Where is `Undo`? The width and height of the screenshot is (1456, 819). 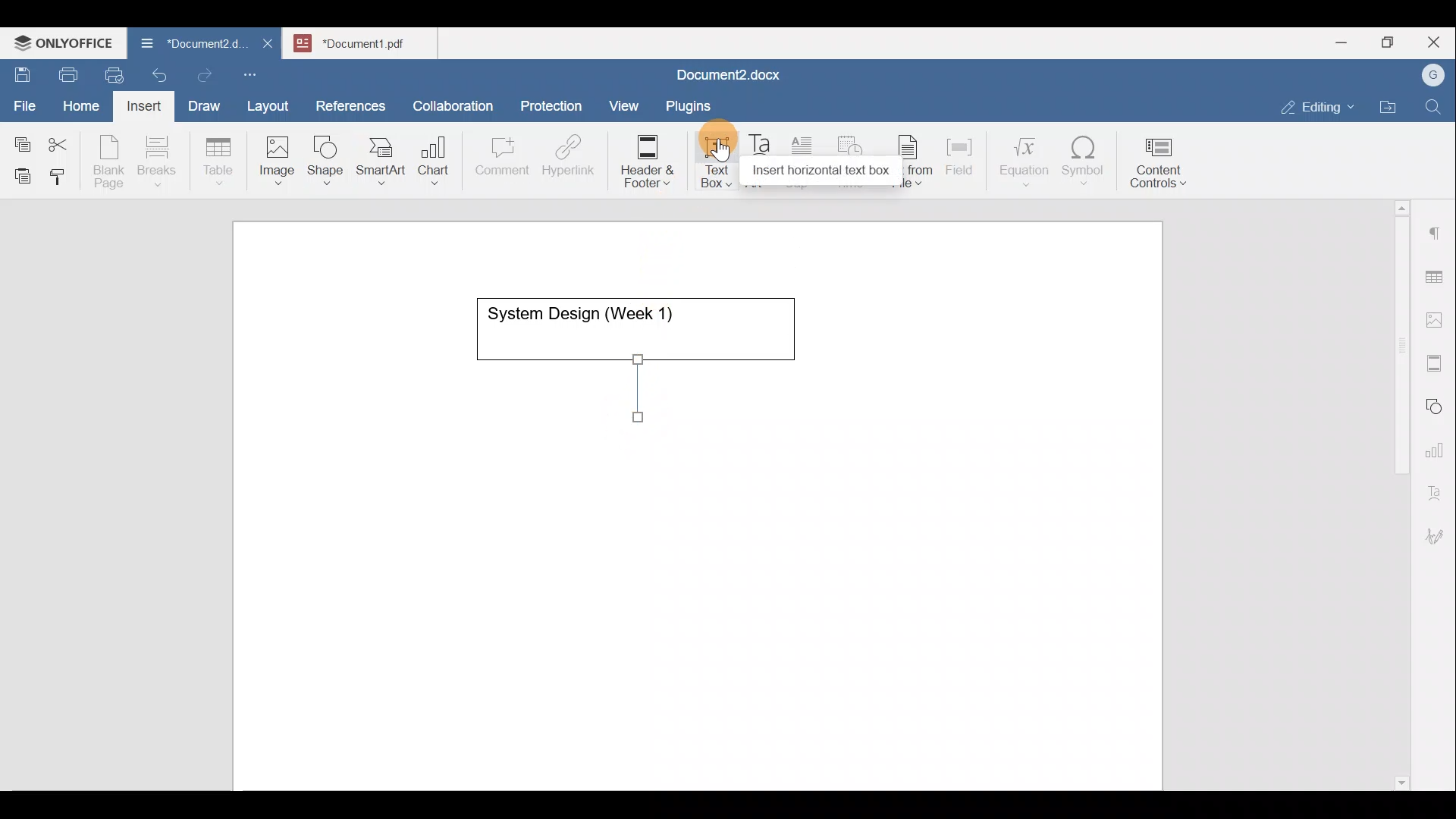 Undo is located at coordinates (156, 73).